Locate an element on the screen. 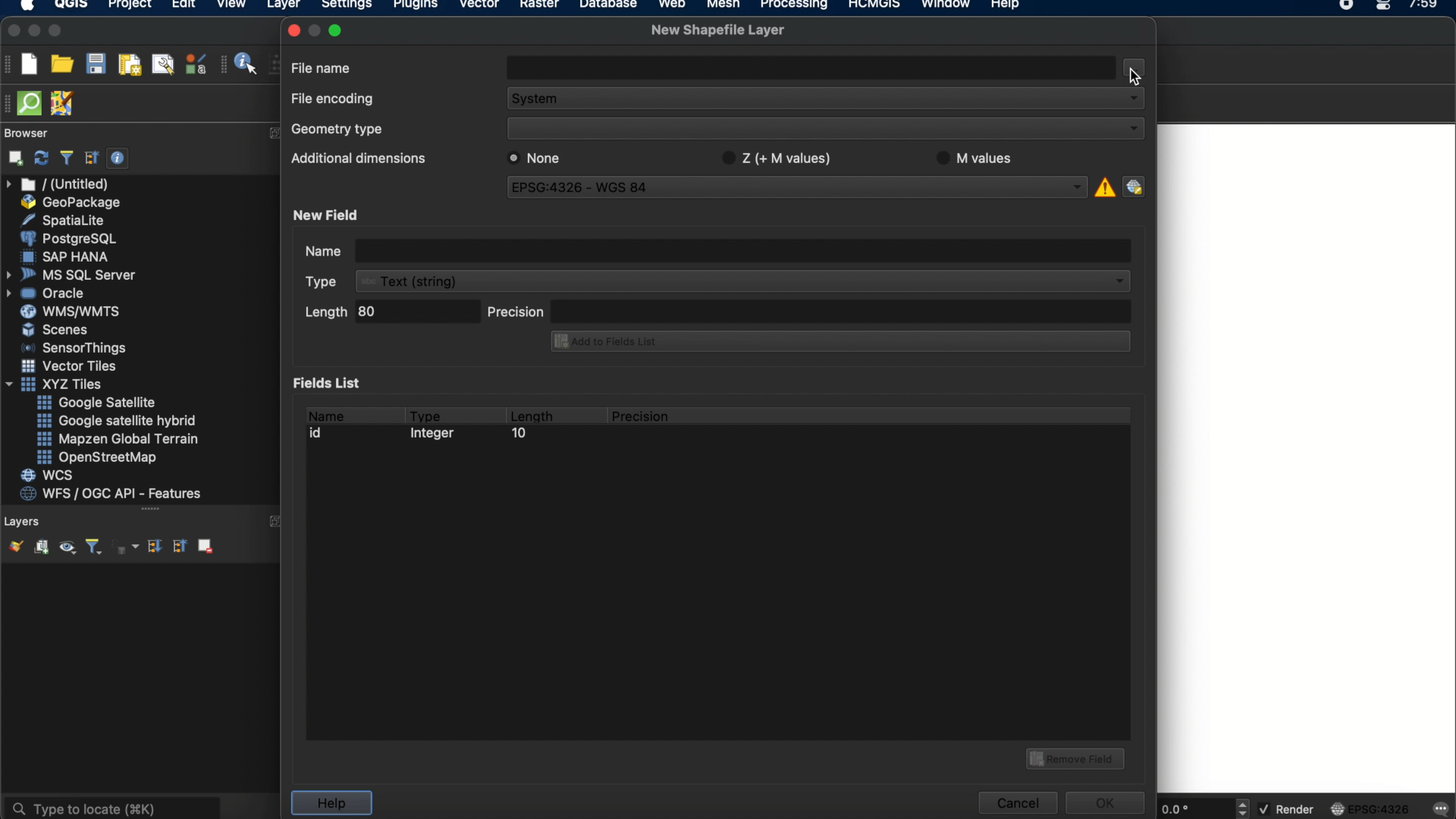 This screenshot has width=1456, height=819. geometry type dropdown menu is located at coordinates (826, 127).